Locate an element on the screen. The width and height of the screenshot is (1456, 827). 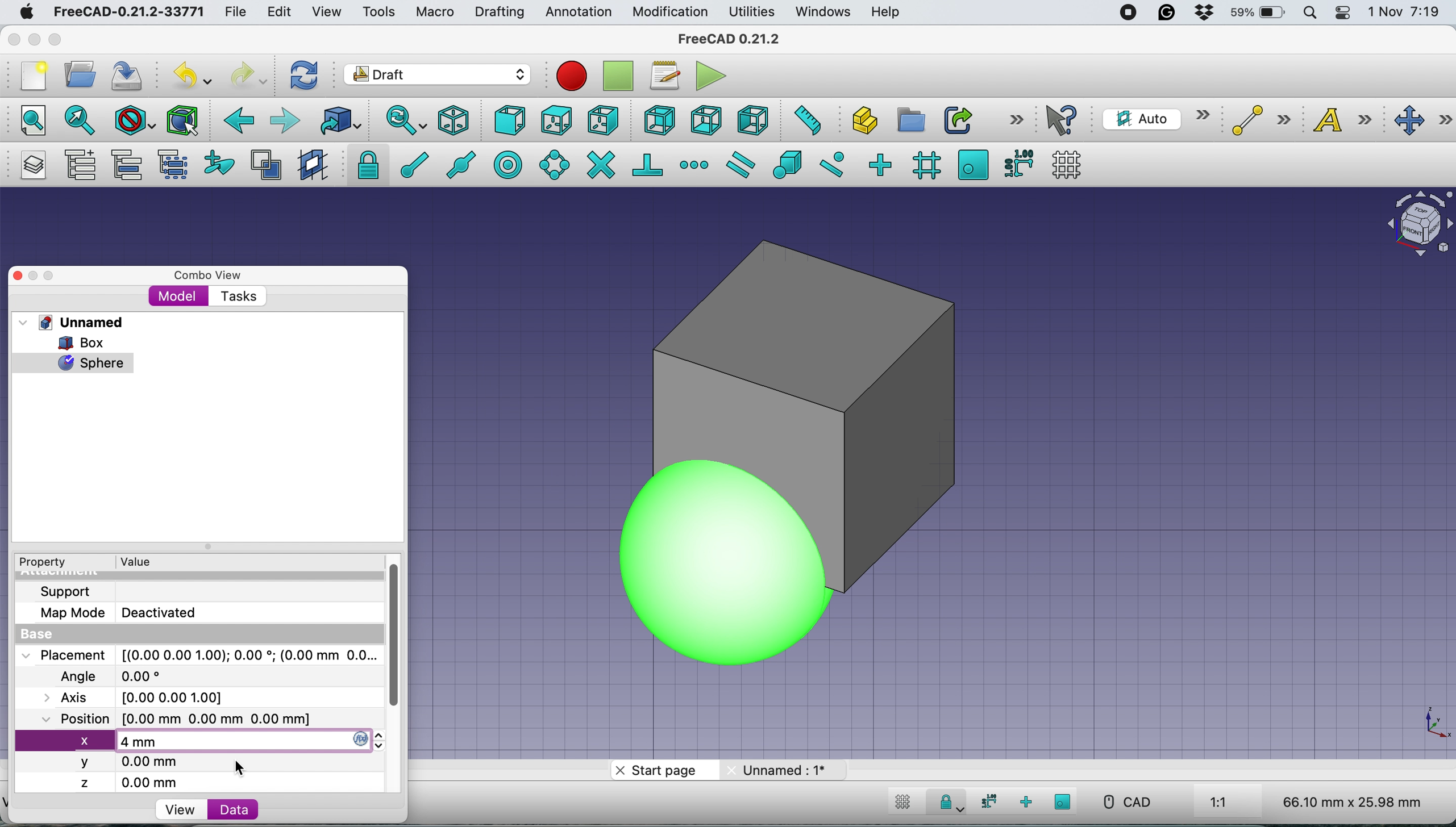
base is located at coordinates (40, 635).